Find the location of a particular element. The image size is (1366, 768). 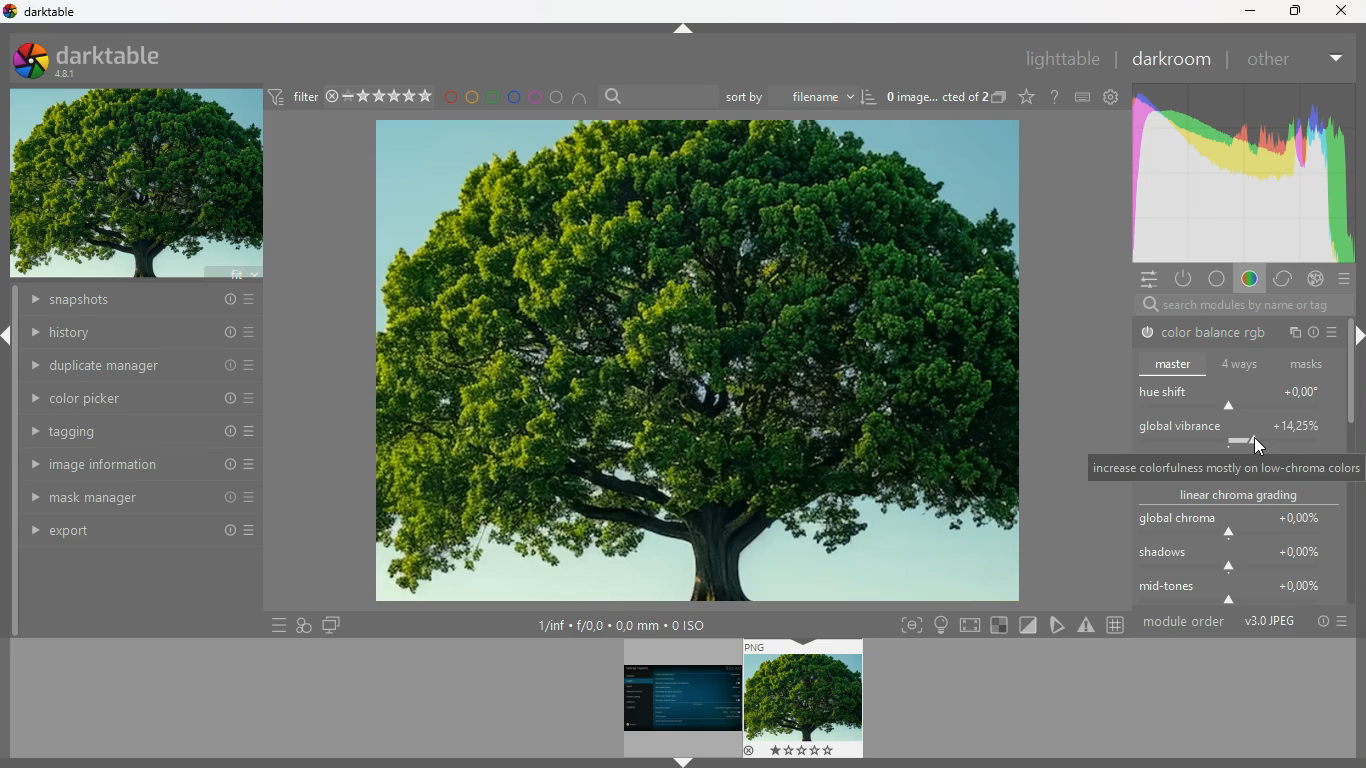

copy is located at coordinates (1295, 333).